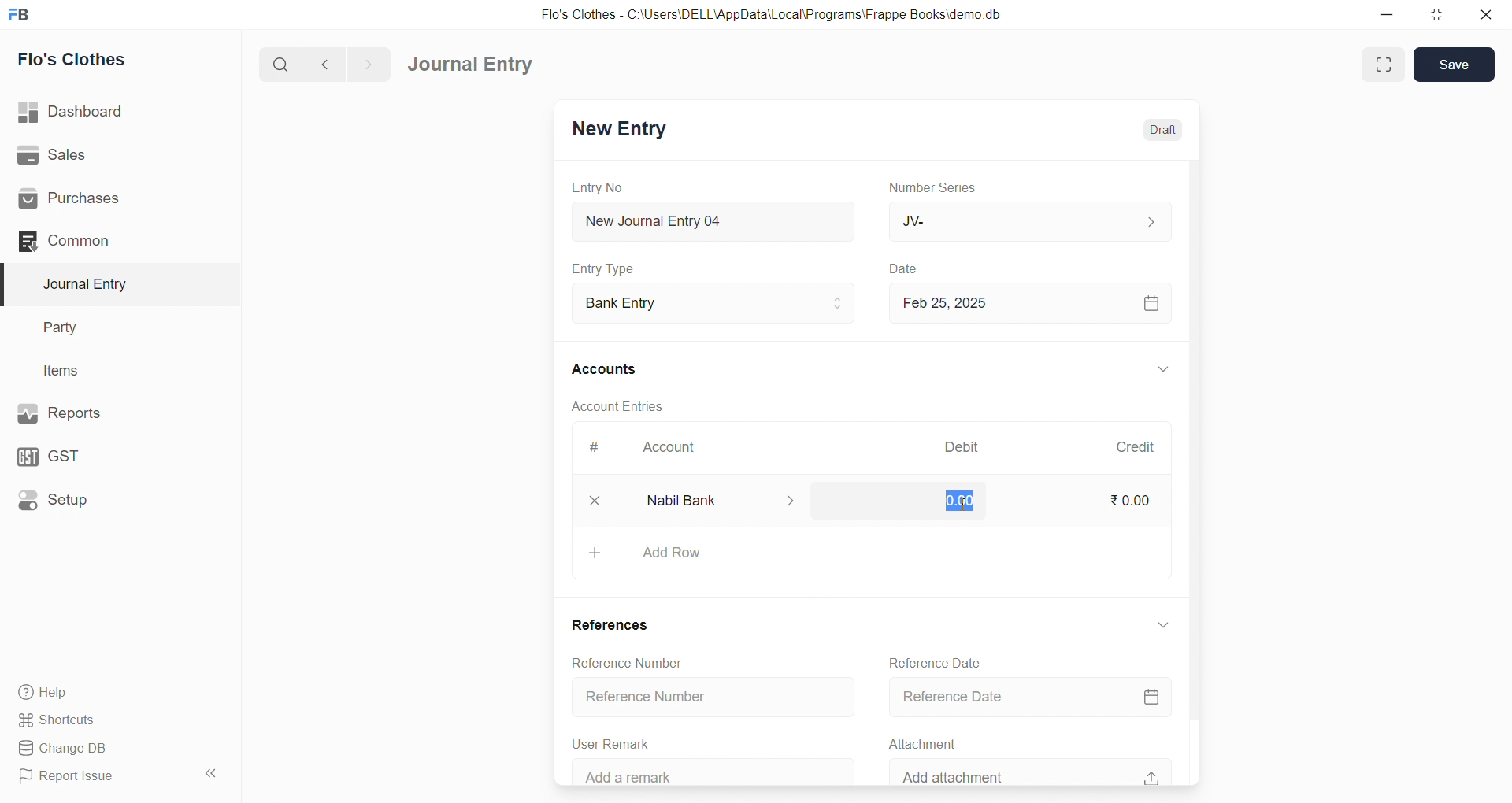 The height and width of the screenshot is (803, 1512). What do you see at coordinates (113, 60) in the screenshot?
I see `Flo's Clothes` at bounding box center [113, 60].